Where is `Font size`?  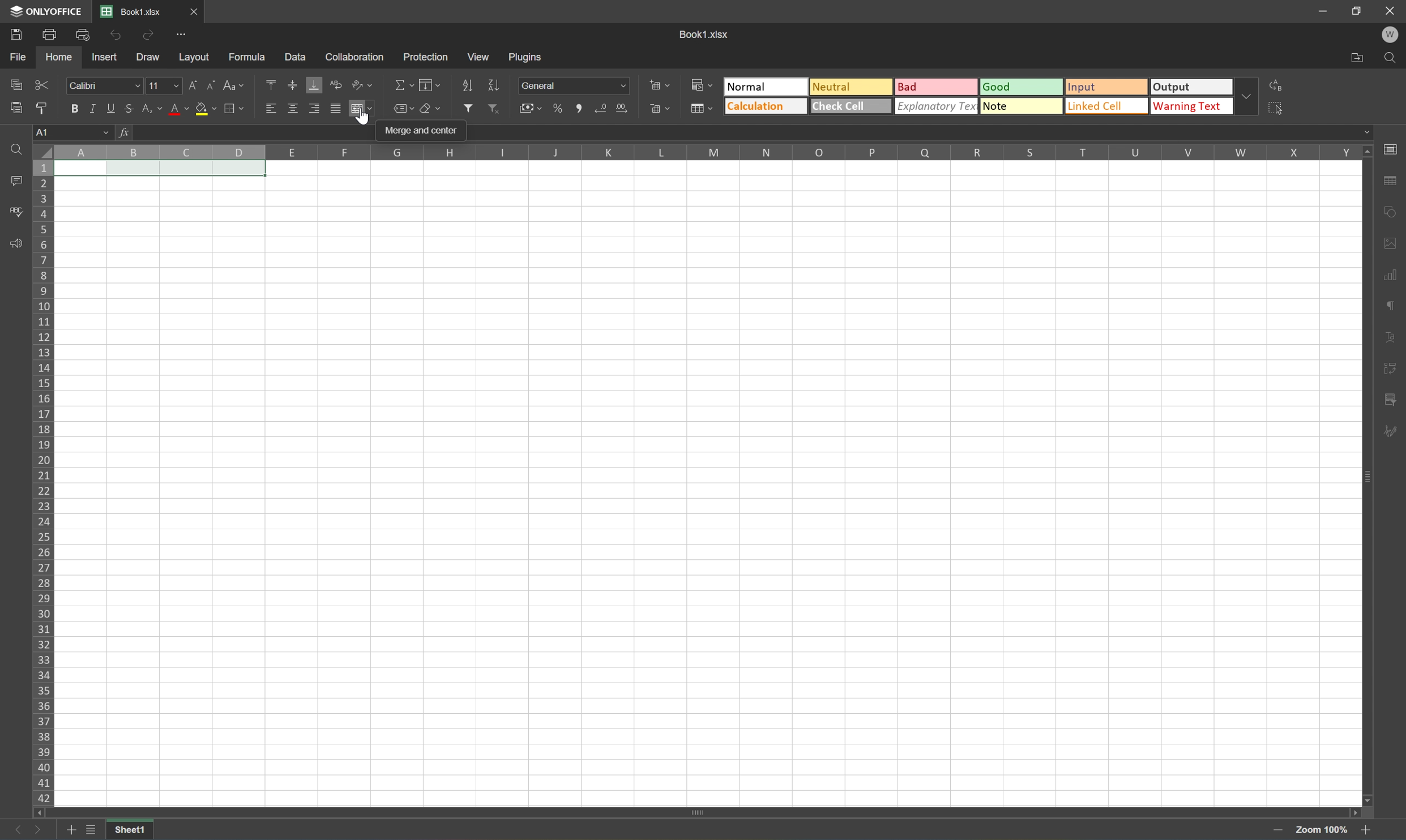 Font size is located at coordinates (163, 87).